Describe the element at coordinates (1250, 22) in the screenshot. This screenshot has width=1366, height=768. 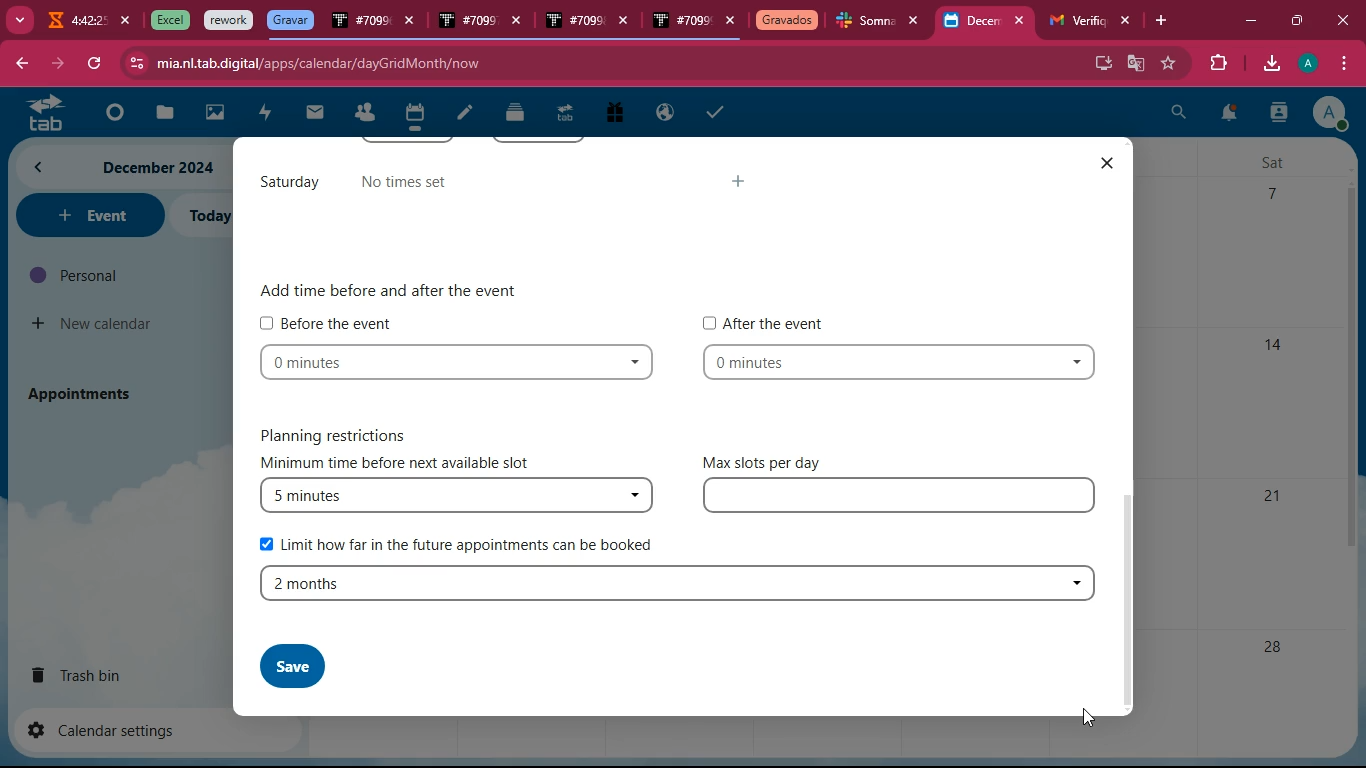
I see `minimize` at that location.